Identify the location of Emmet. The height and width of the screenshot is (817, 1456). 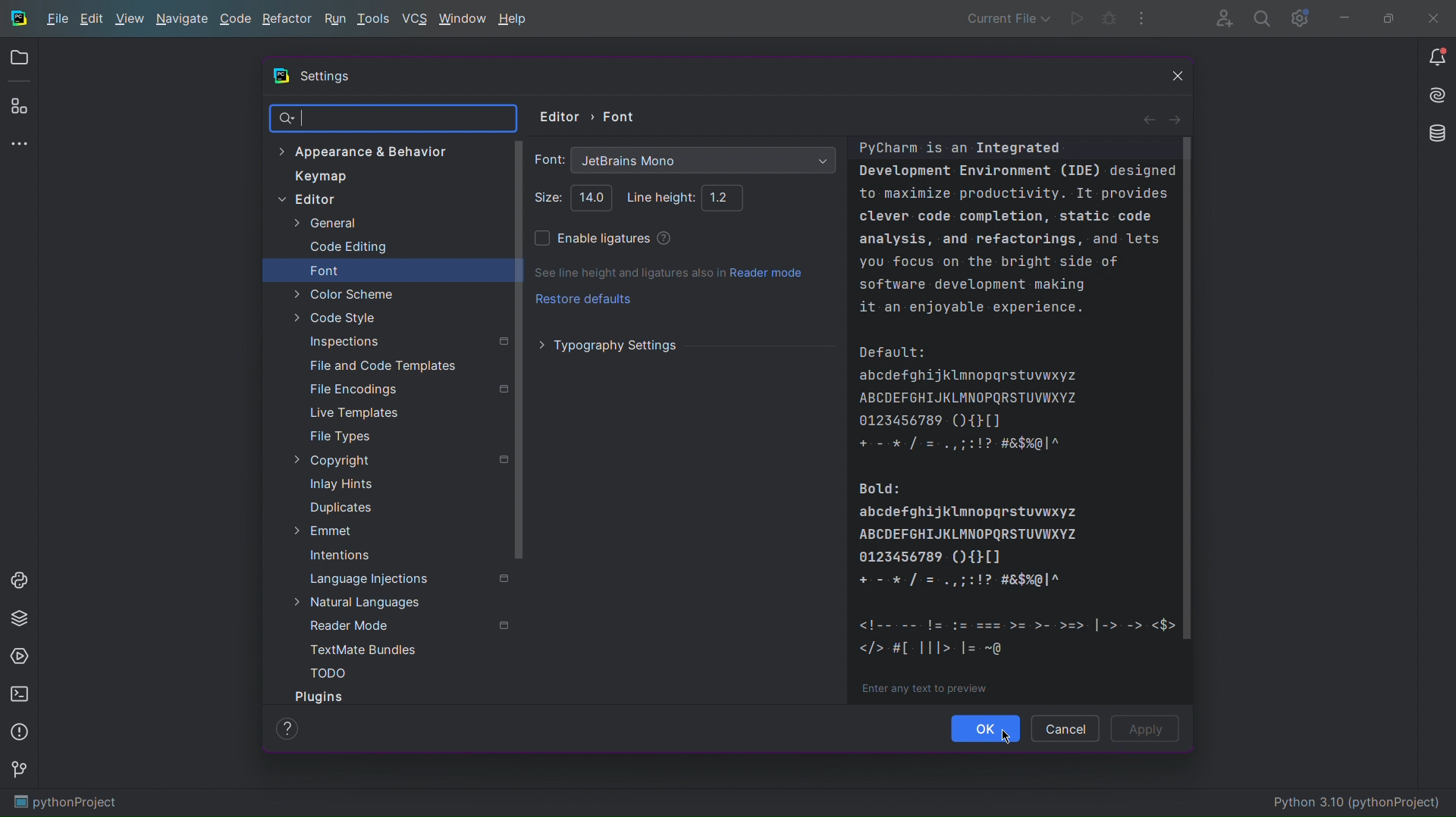
(317, 531).